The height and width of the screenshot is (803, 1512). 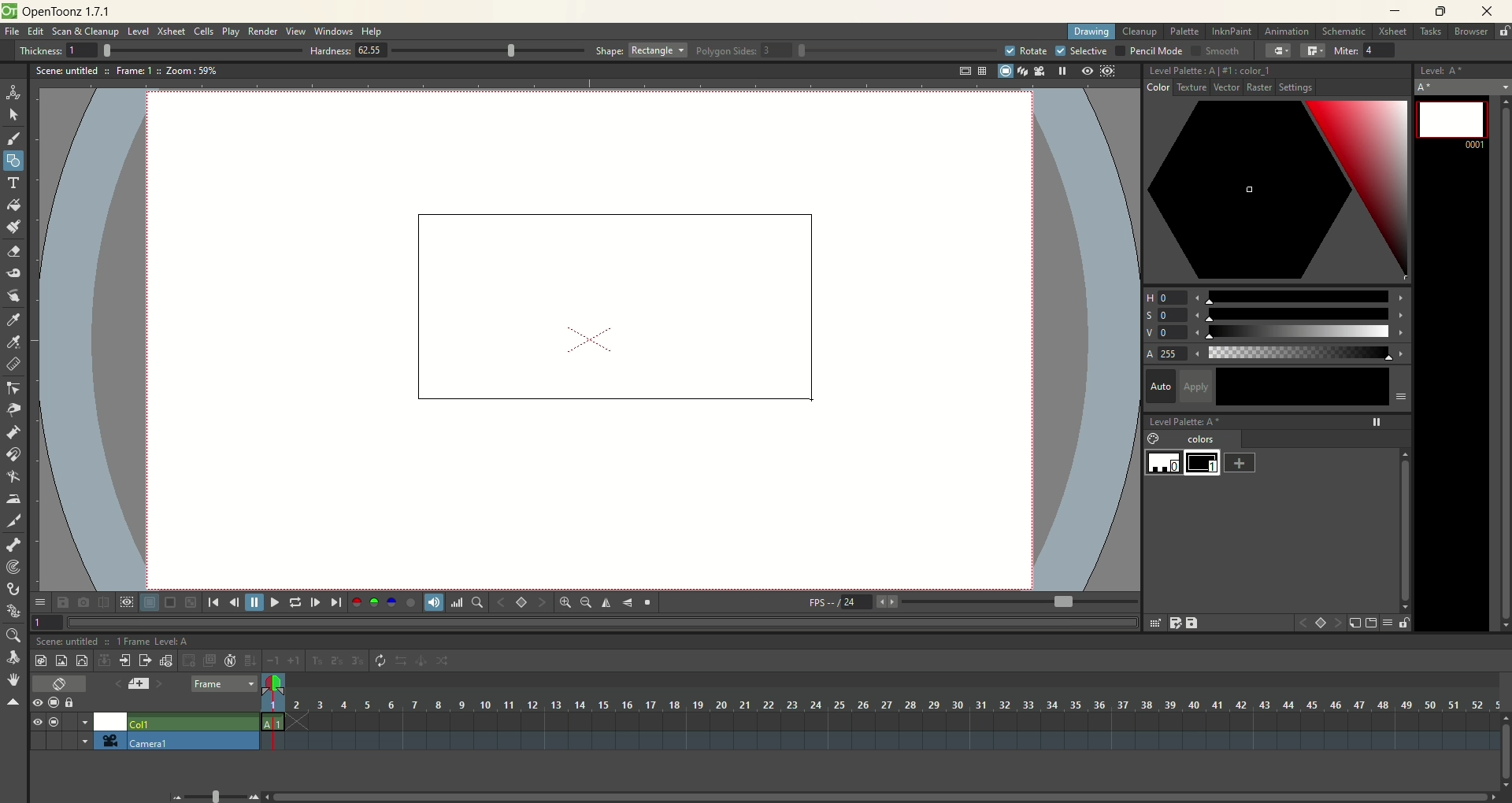 What do you see at coordinates (12, 612) in the screenshot?
I see `plastic` at bounding box center [12, 612].